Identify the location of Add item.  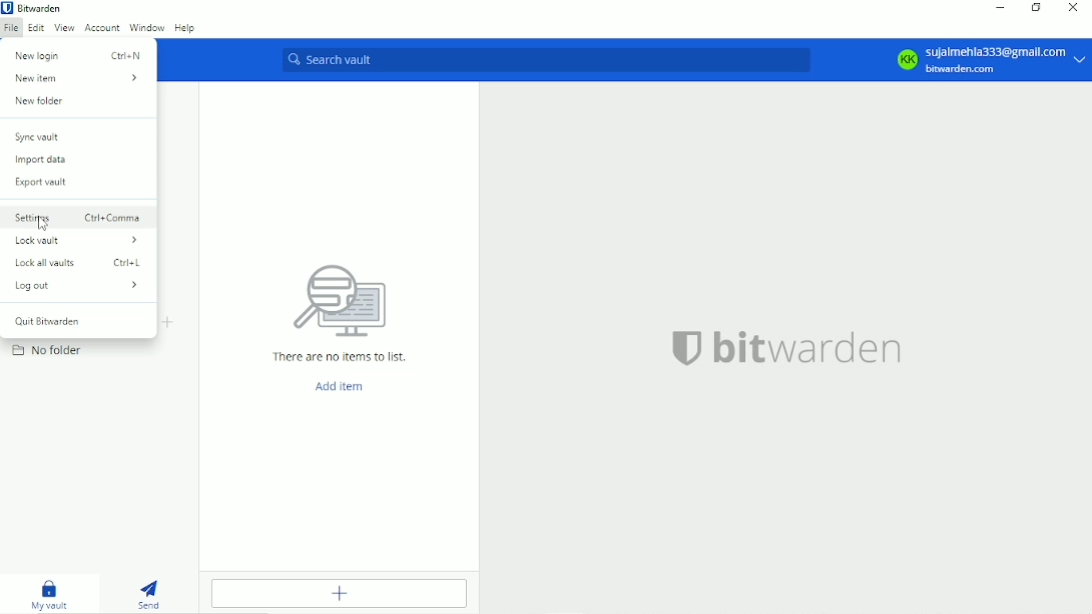
(339, 388).